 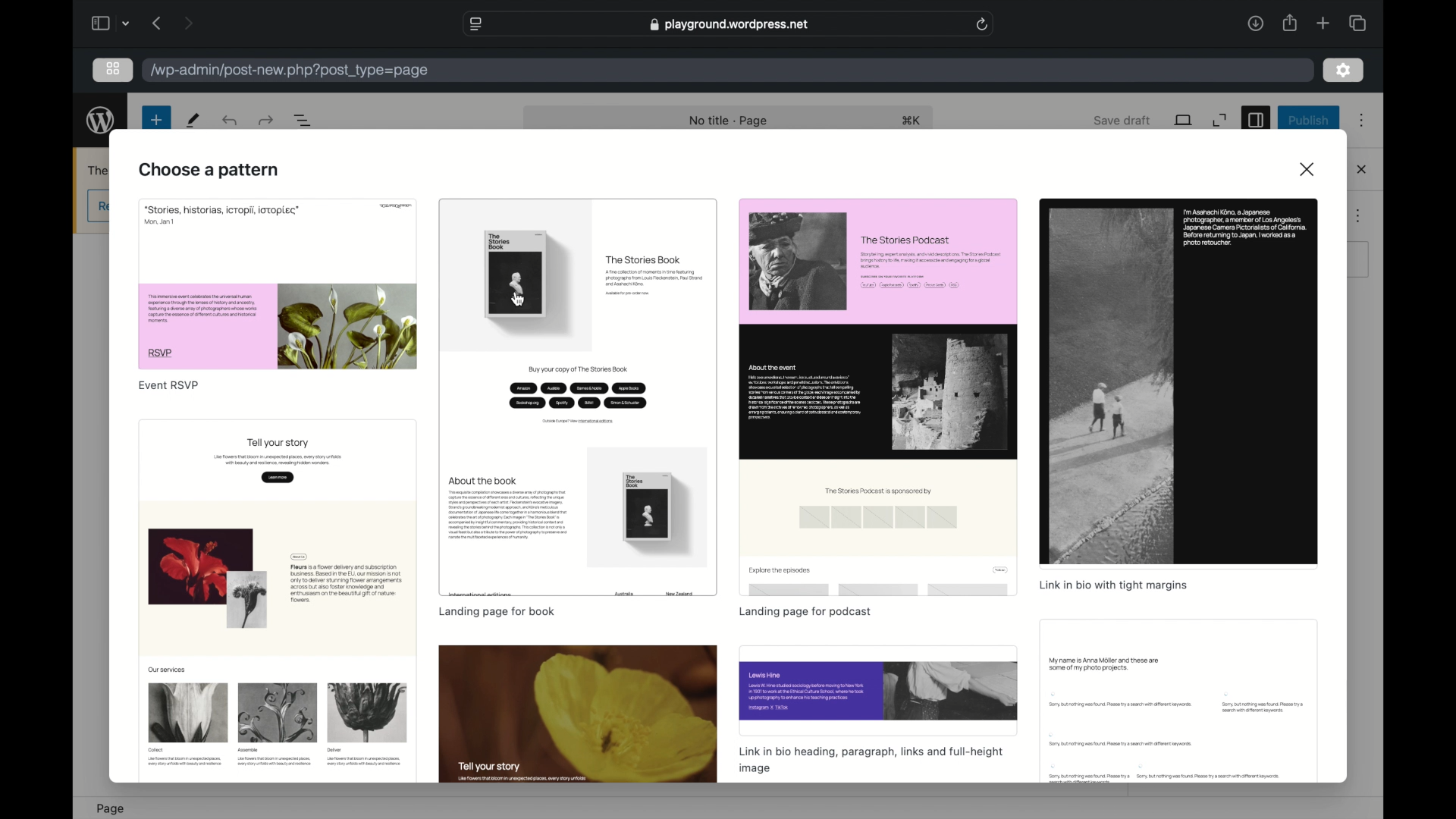 What do you see at coordinates (267, 121) in the screenshot?
I see `undo` at bounding box center [267, 121].